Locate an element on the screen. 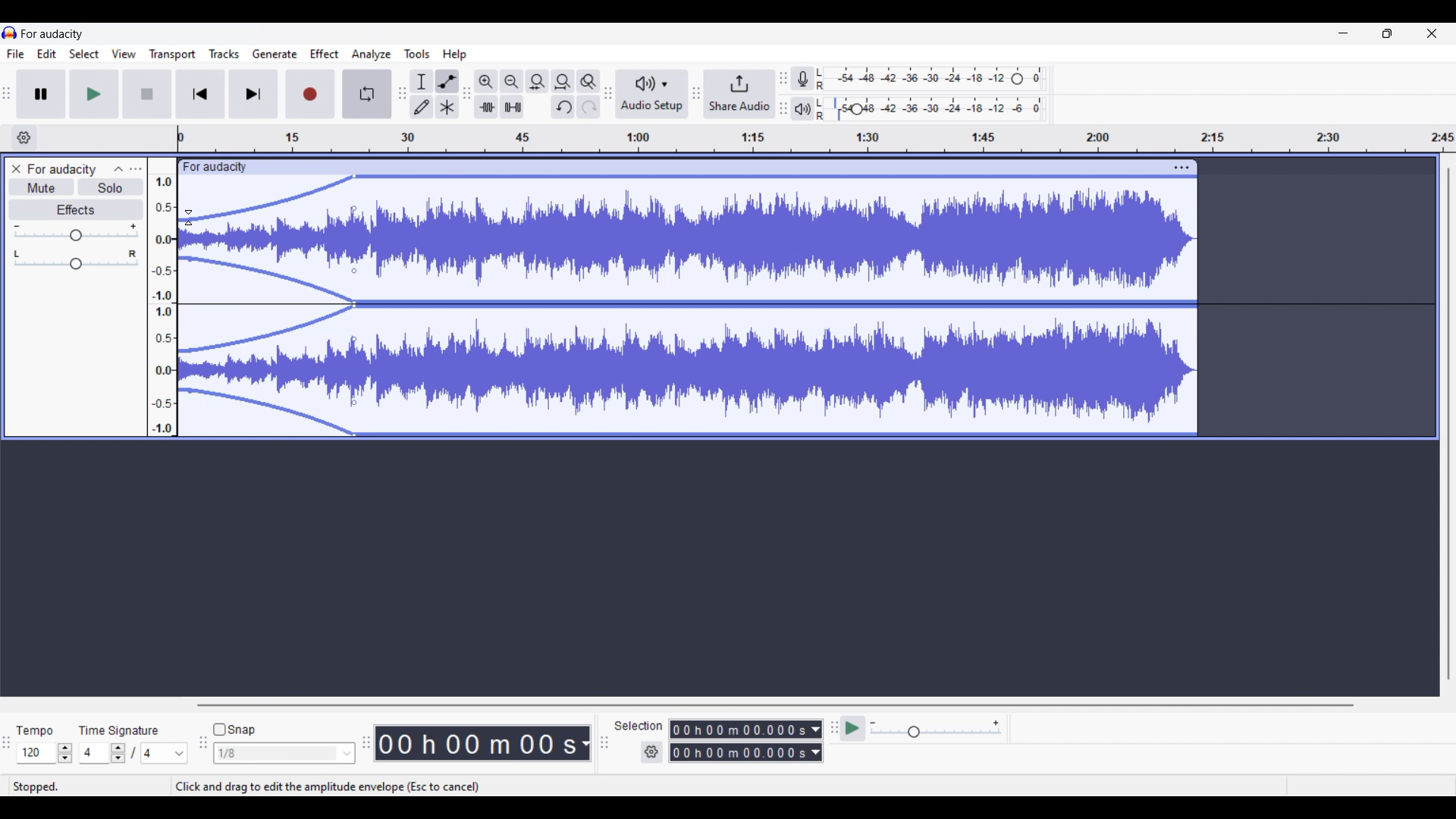 The image size is (1456, 819). Share audio is located at coordinates (740, 93).